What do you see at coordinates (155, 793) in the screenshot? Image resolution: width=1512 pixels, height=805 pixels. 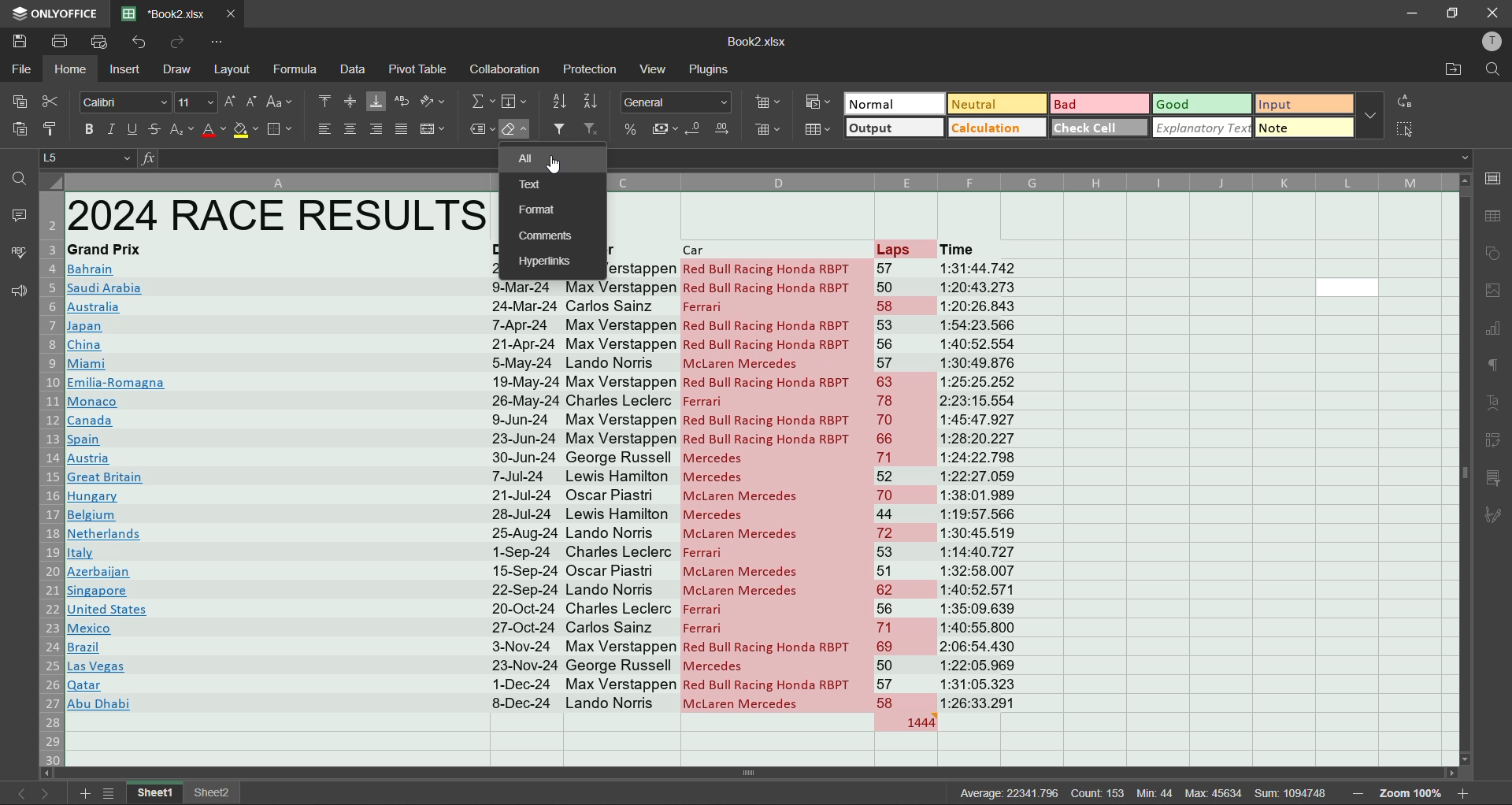 I see `sheet 1` at bounding box center [155, 793].